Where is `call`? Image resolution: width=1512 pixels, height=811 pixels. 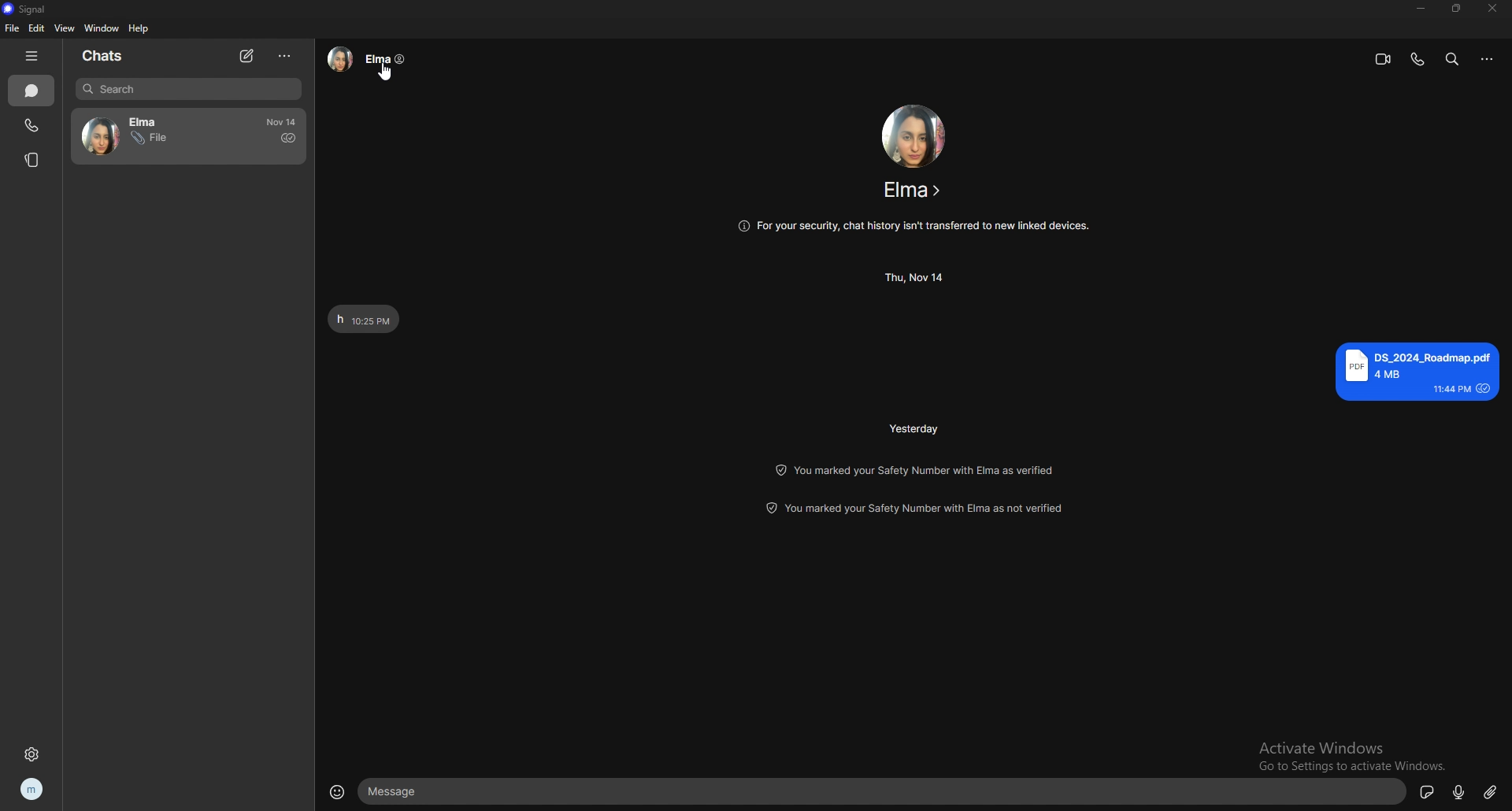
call is located at coordinates (31, 127).